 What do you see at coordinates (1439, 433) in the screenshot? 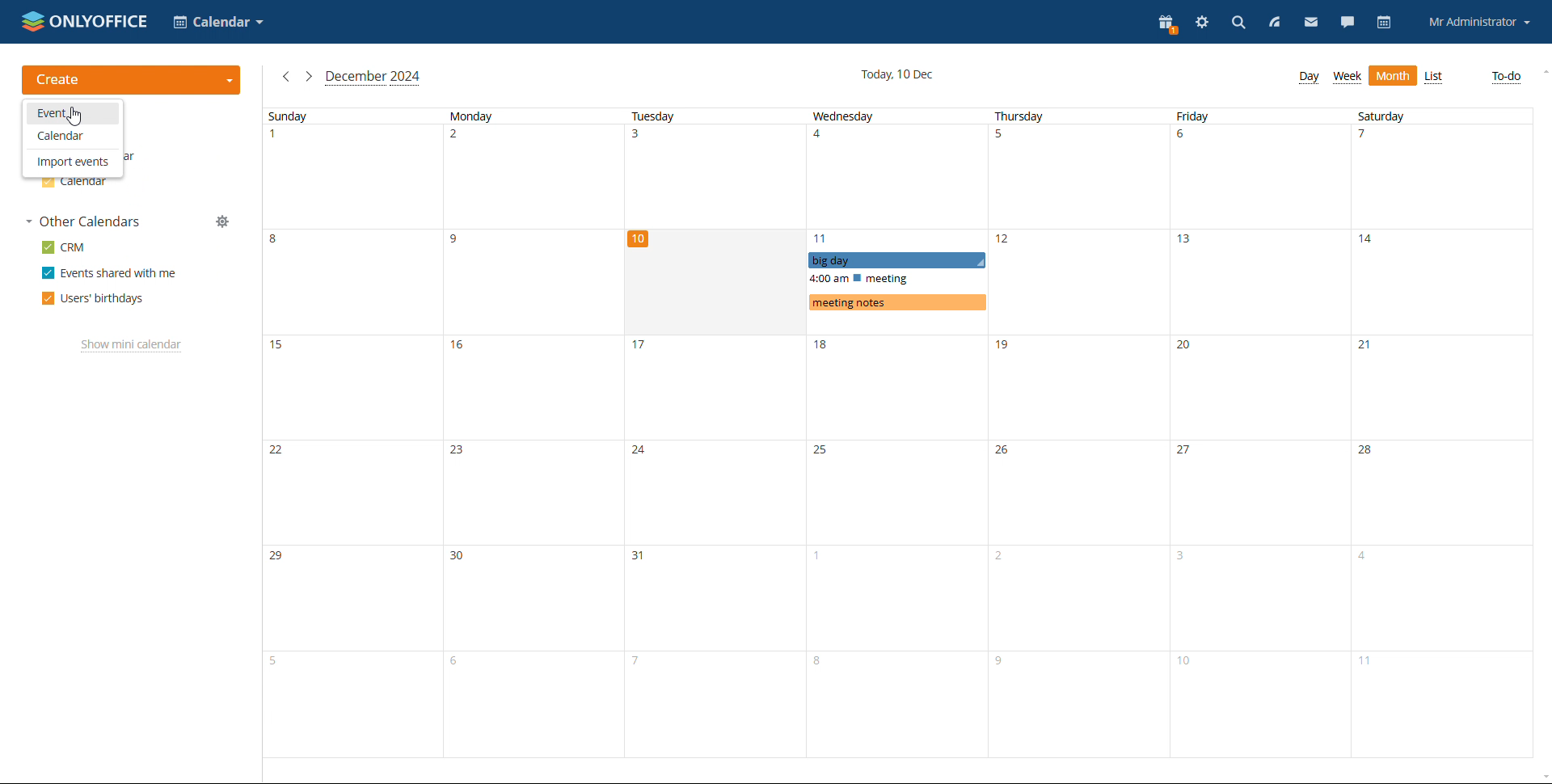
I see `saturday` at bounding box center [1439, 433].